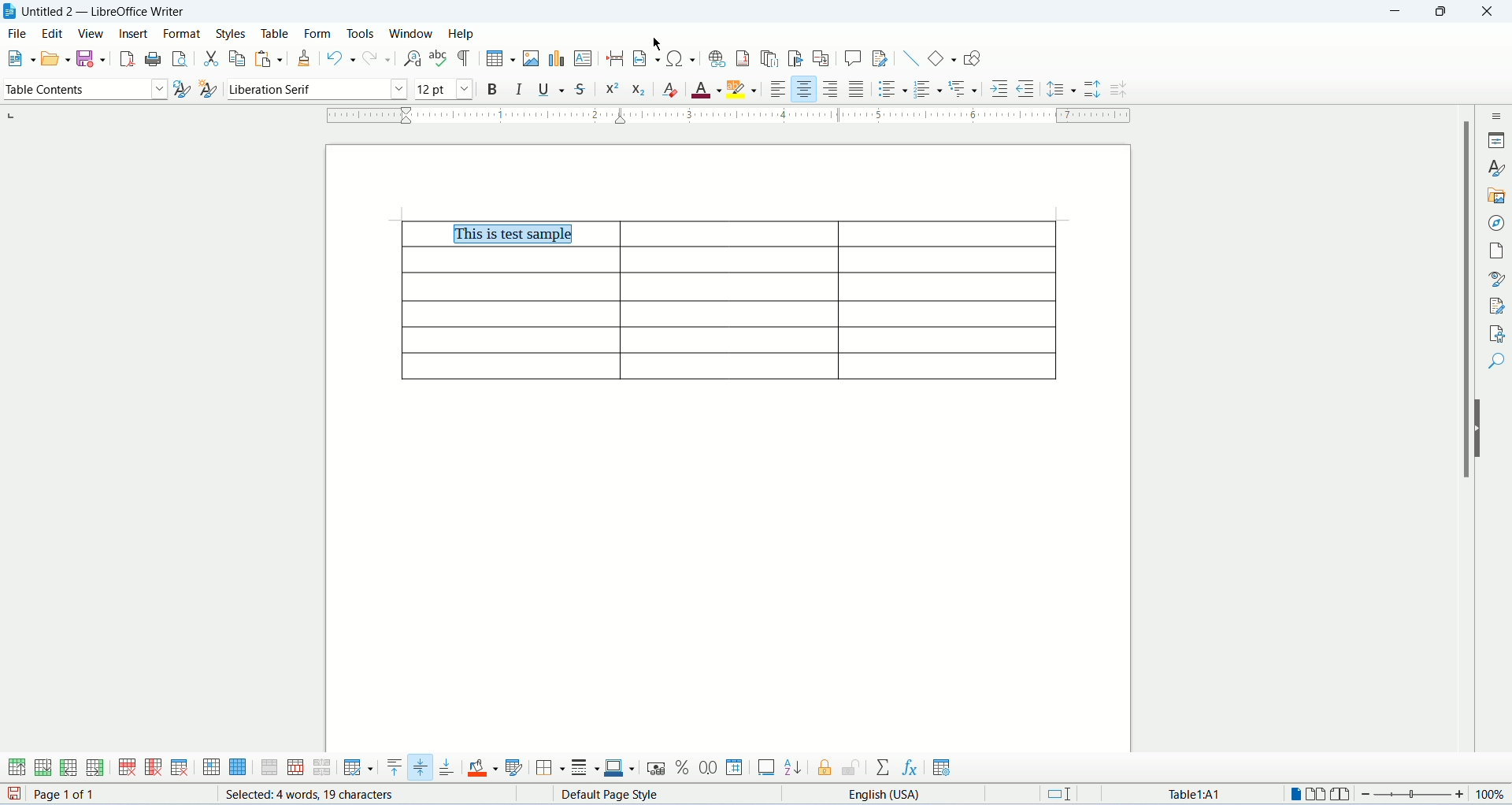  What do you see at coordinates (91, 58) in the screenshot?
I see `safe` at bounding box center [91, 58].